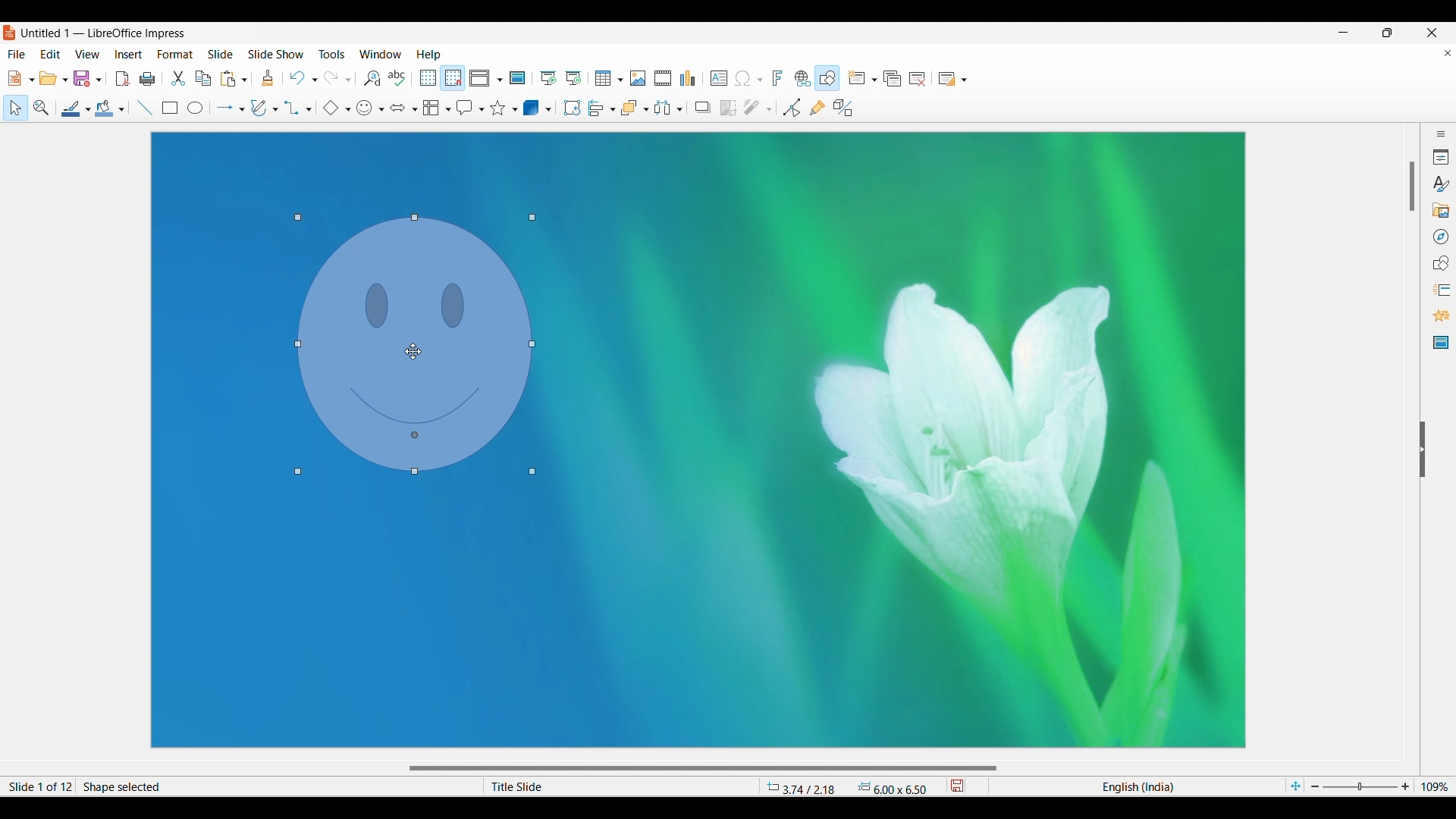 Image resolution: width=1456 pixels, height=819 pixels. What do you see at coordinates (121, 109) in the screenshot?
I see `Fill options` at bounding box center [121, 109].